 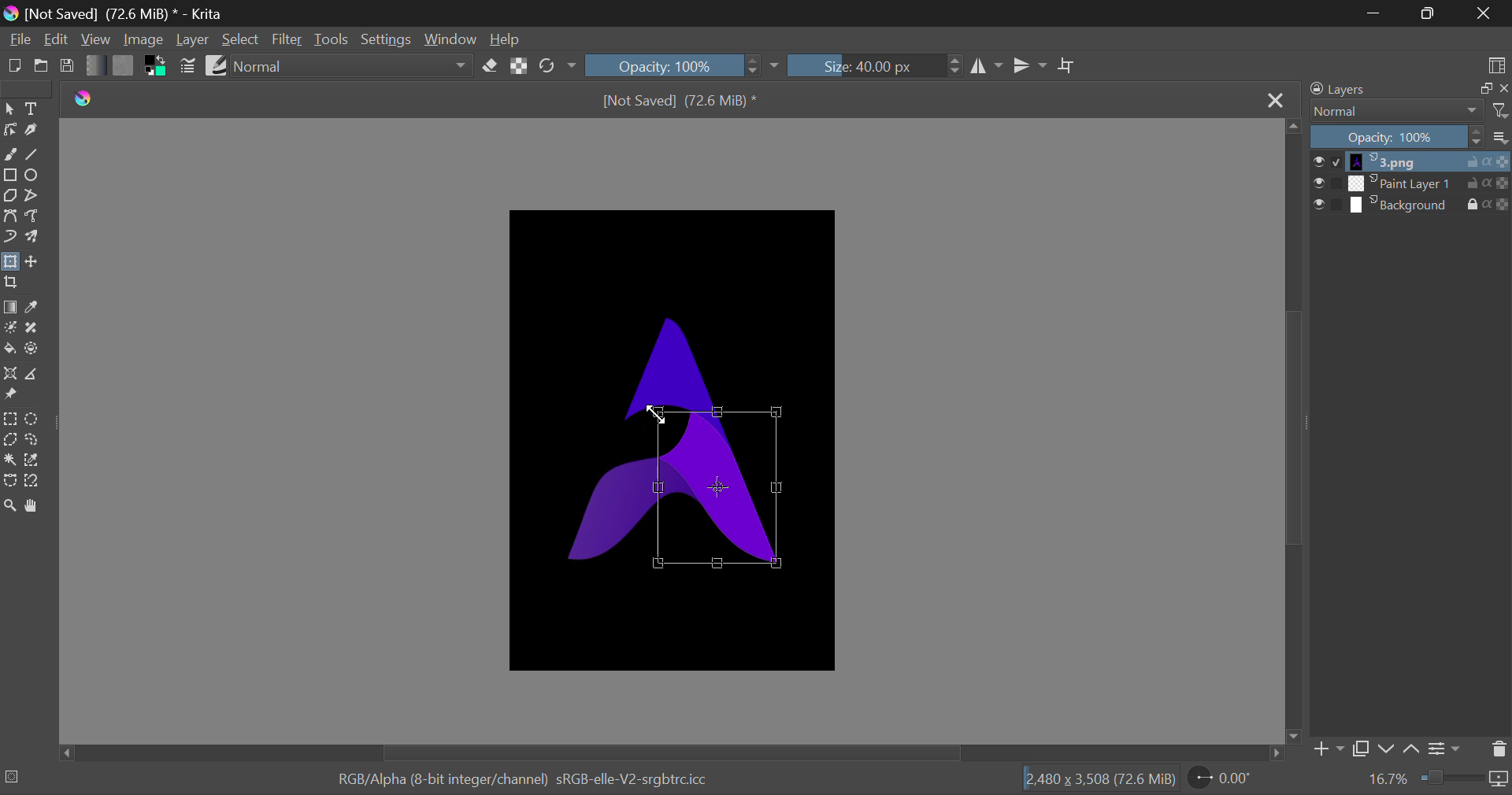 What do you see at coordinates (37, 374) in the screenshot?
I see `Measurements` at bounding box center [37, 374].